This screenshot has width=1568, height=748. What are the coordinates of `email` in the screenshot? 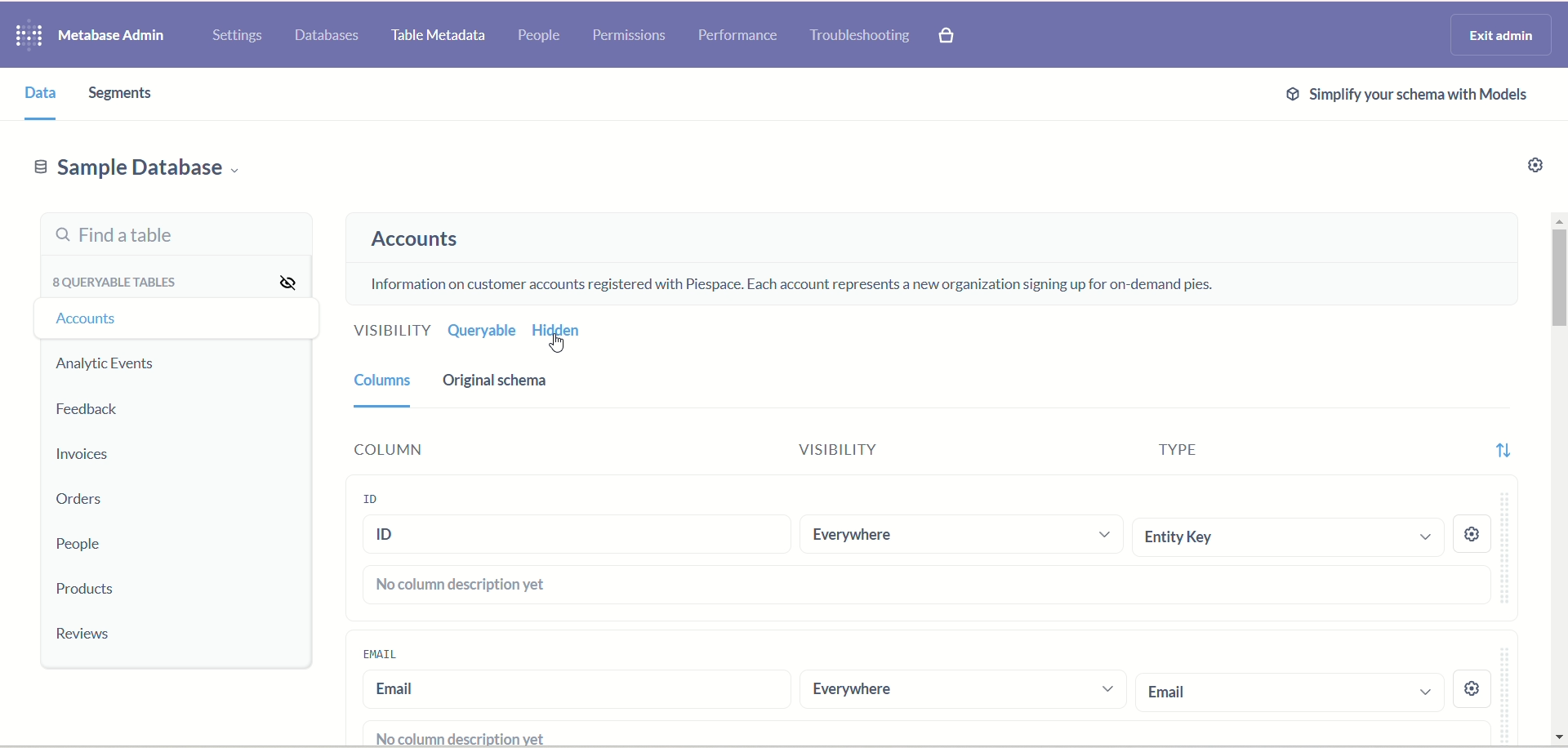 It's located at (388, 654).